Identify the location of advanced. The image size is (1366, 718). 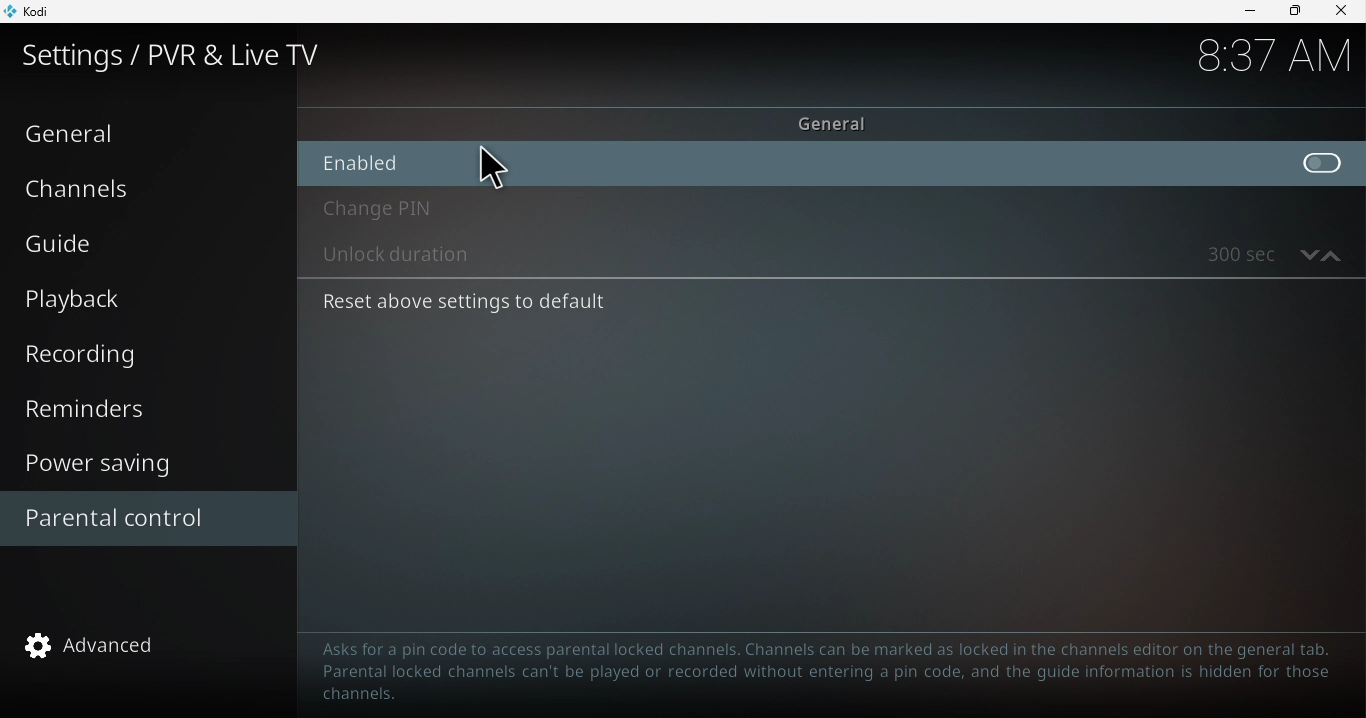
(95, 646).